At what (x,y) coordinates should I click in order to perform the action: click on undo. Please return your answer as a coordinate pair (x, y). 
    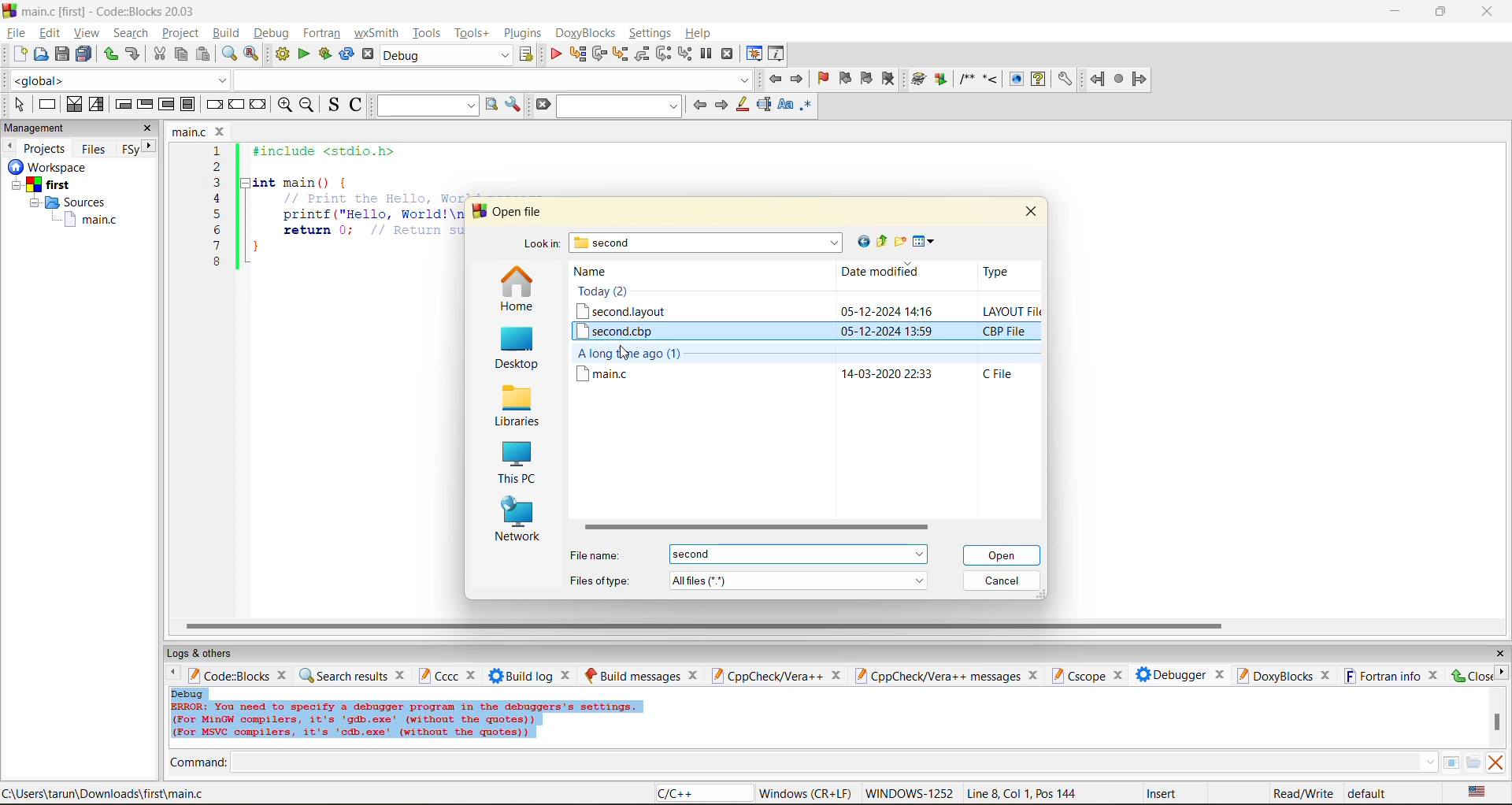
    Looking at the image, I should click on (131, 54).